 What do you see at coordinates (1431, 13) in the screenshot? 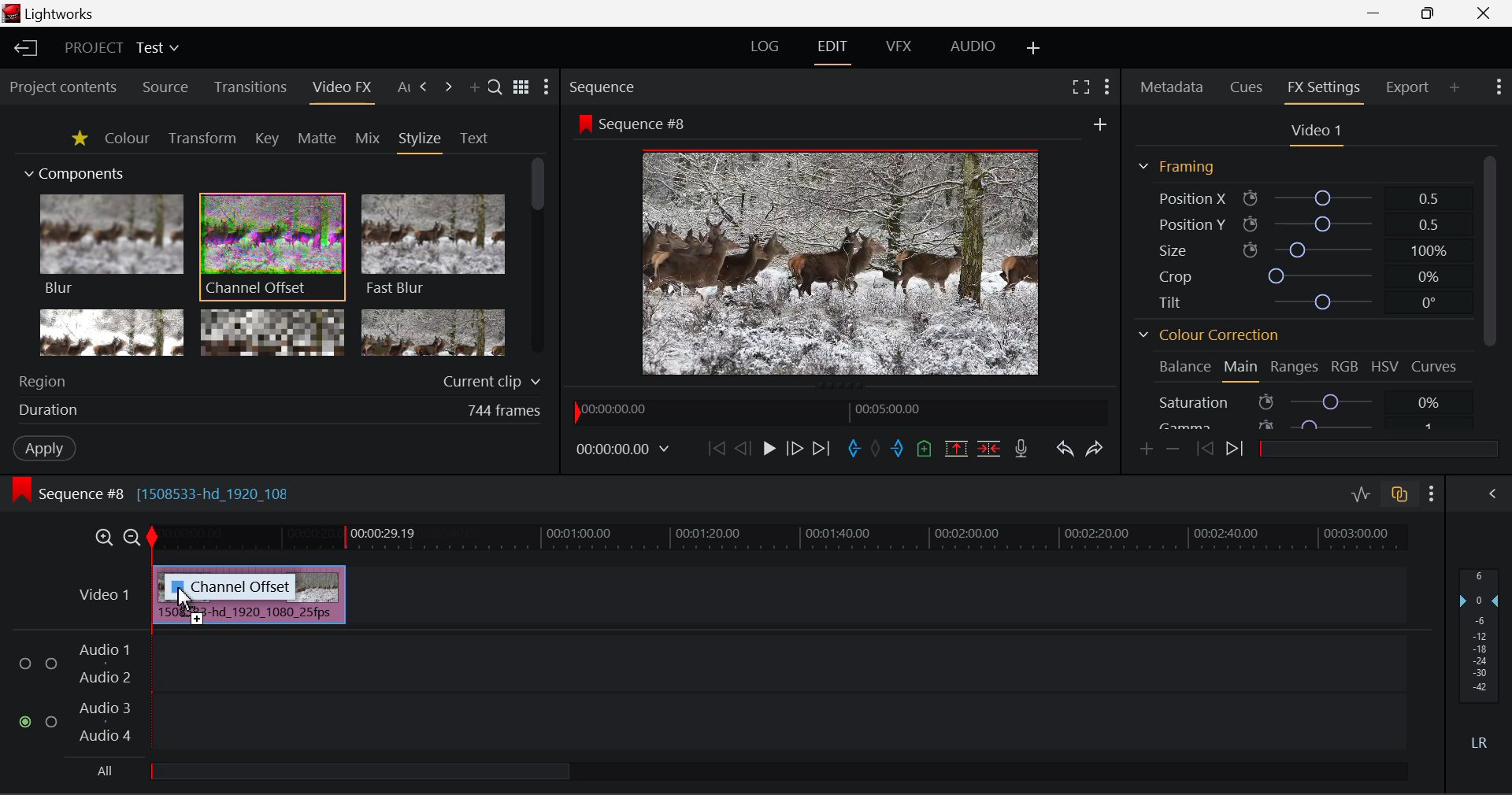
I see `Minimize` at bounding box center [1431, 13].